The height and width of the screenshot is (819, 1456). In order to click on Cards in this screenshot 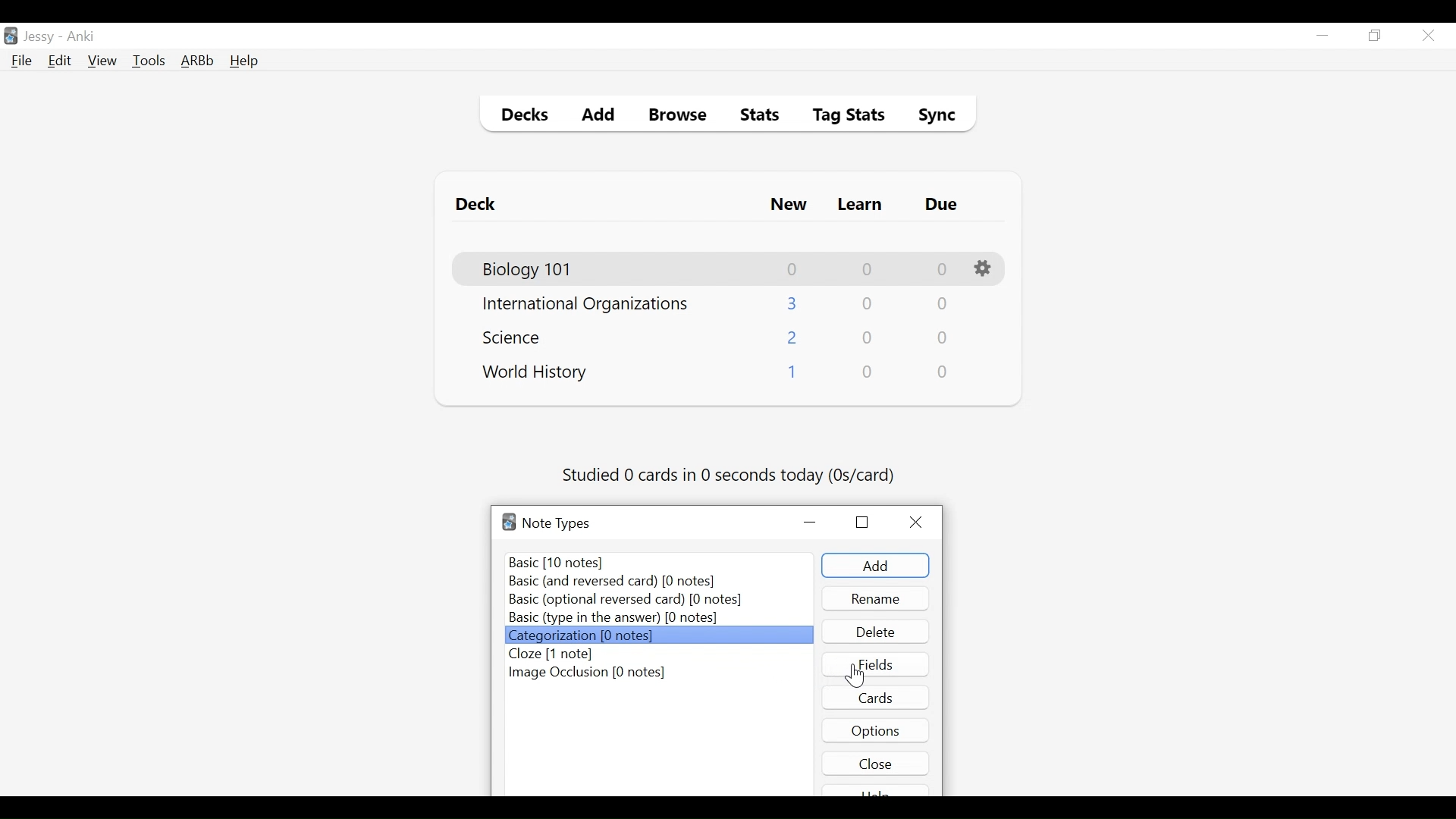, I will do `click(877, 697)`.